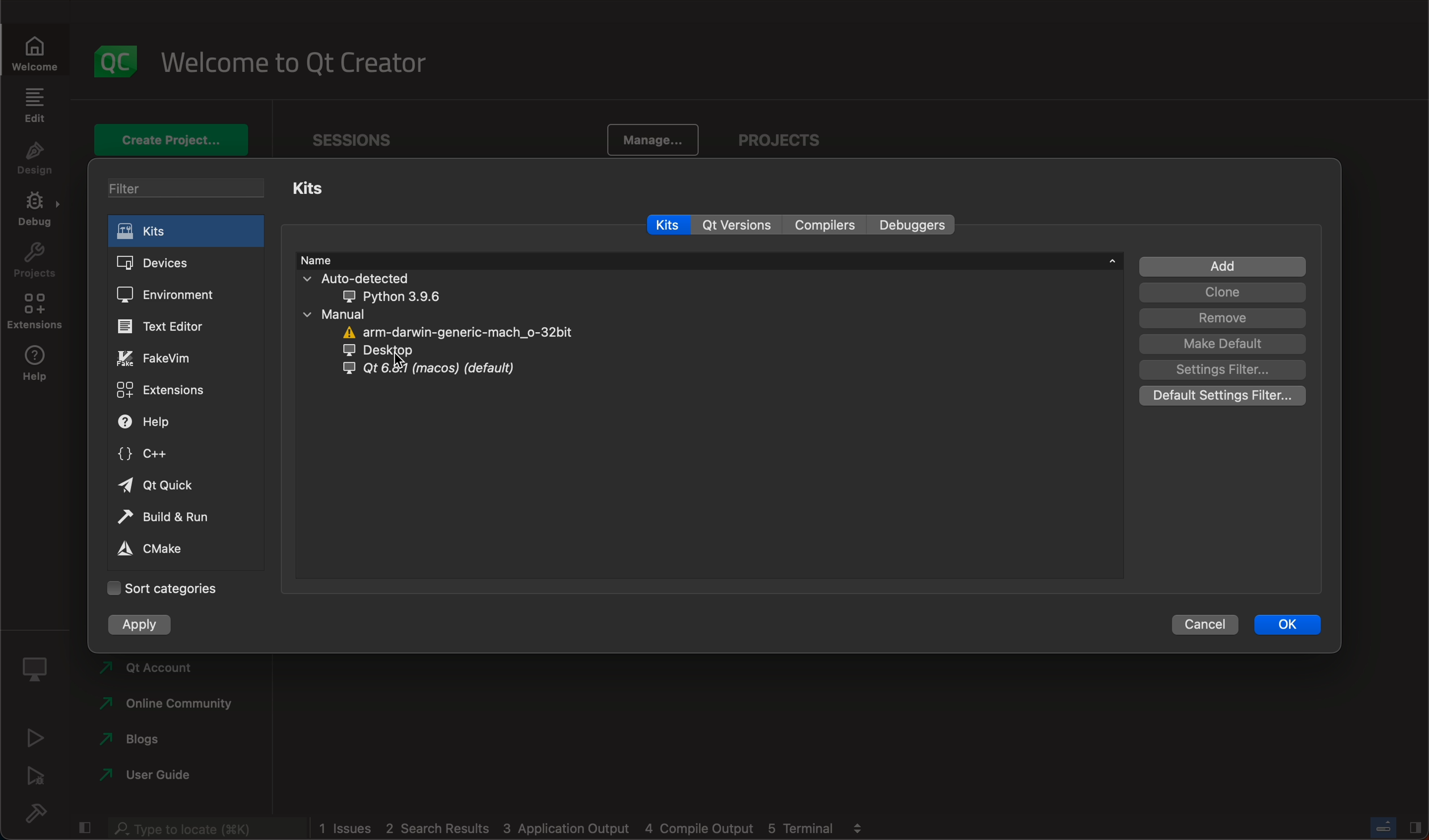  I want to click on filter, so click(189, 188).